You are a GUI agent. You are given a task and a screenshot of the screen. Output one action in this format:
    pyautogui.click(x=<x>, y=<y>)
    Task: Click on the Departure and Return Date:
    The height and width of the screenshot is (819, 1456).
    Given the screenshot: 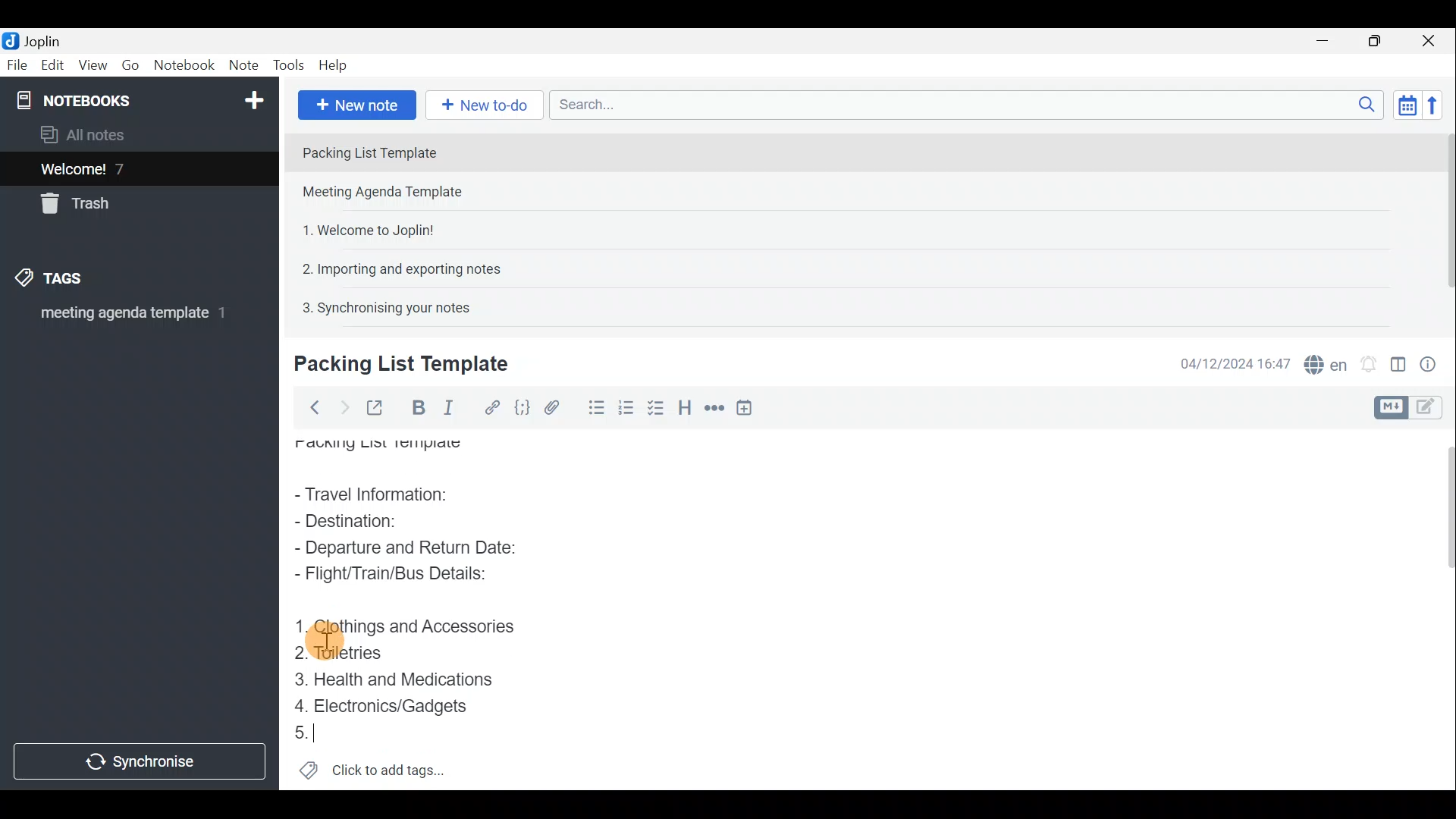 What is the action you would take?
    pyautogui.click(x=406, y=549)
    